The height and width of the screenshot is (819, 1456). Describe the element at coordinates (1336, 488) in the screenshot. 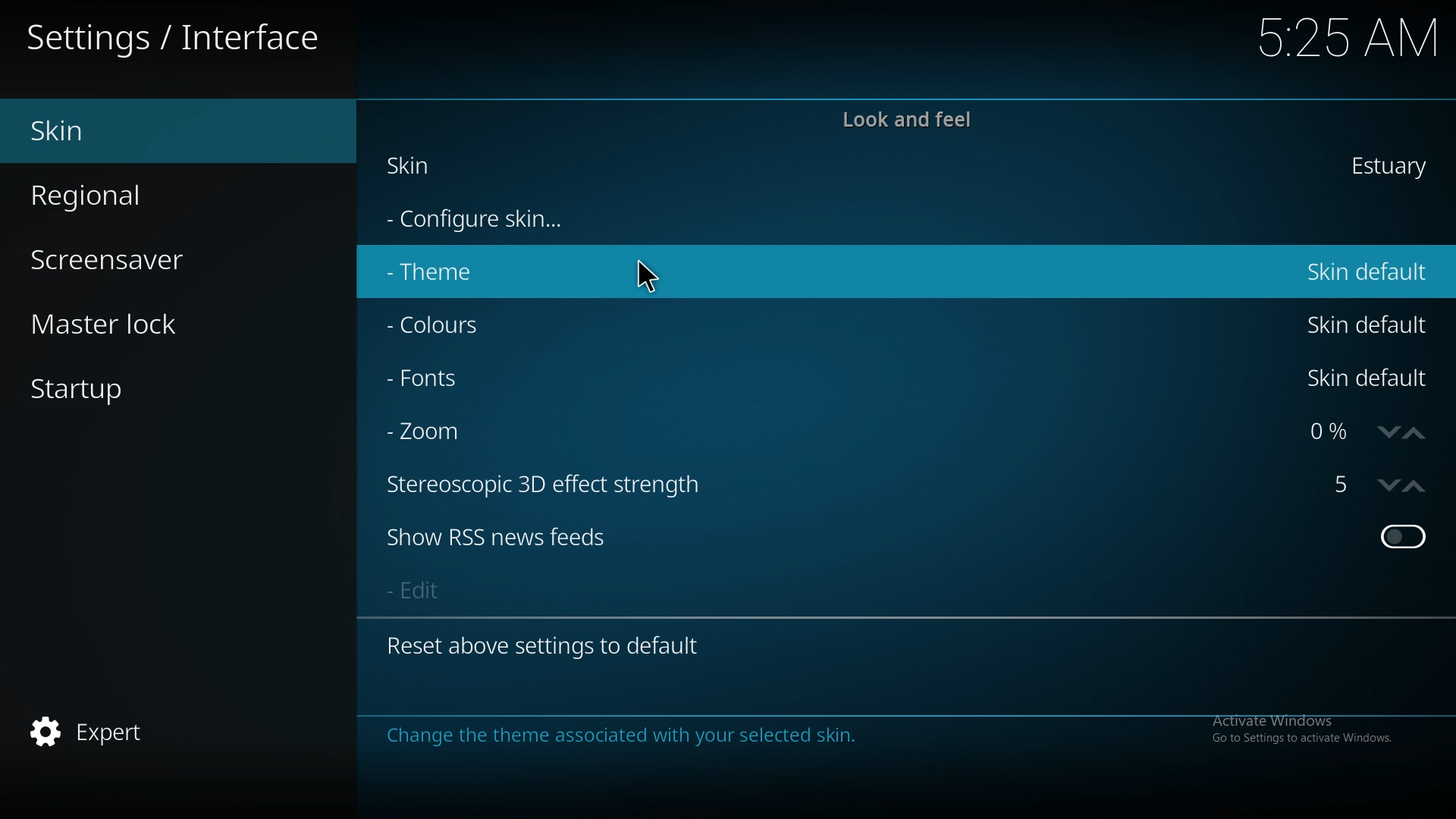

I see `strereoscopic 3d effect strength` at that location.